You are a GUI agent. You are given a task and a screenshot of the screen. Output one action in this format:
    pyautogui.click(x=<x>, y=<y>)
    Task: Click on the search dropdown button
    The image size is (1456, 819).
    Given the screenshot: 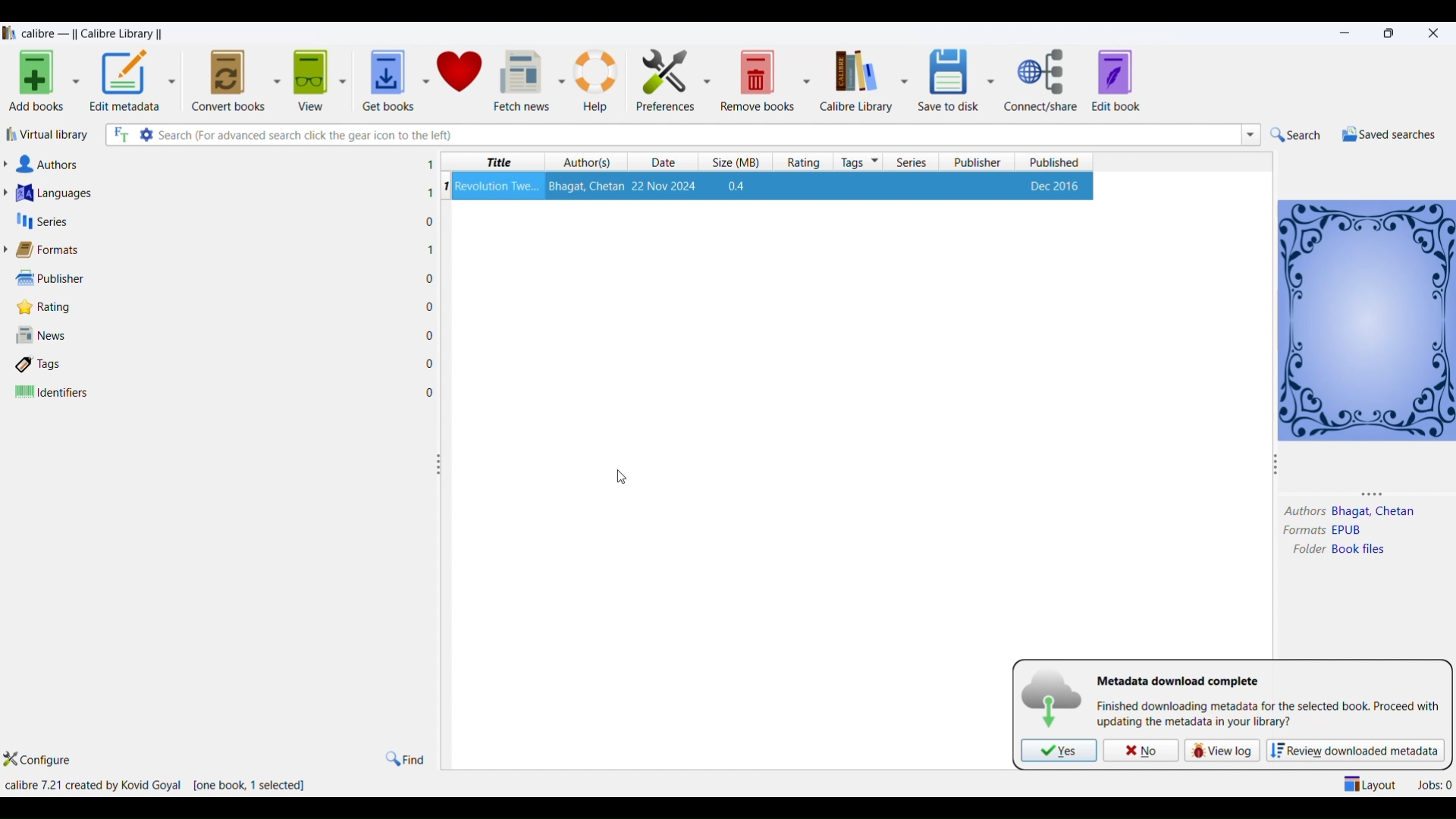 What is the action you would take?
    pyautogui.click(x=1249, y=134)
    